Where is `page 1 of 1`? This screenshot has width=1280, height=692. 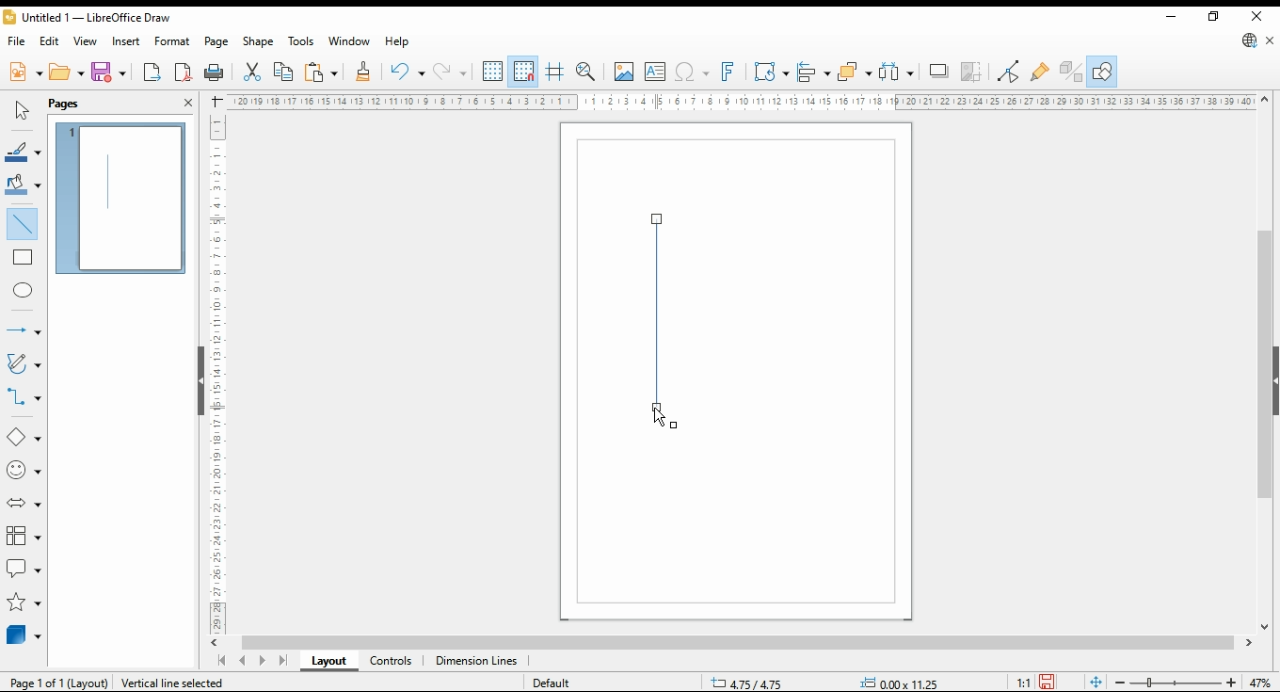
page 1 of 1 is located at coordinates (55, 683).